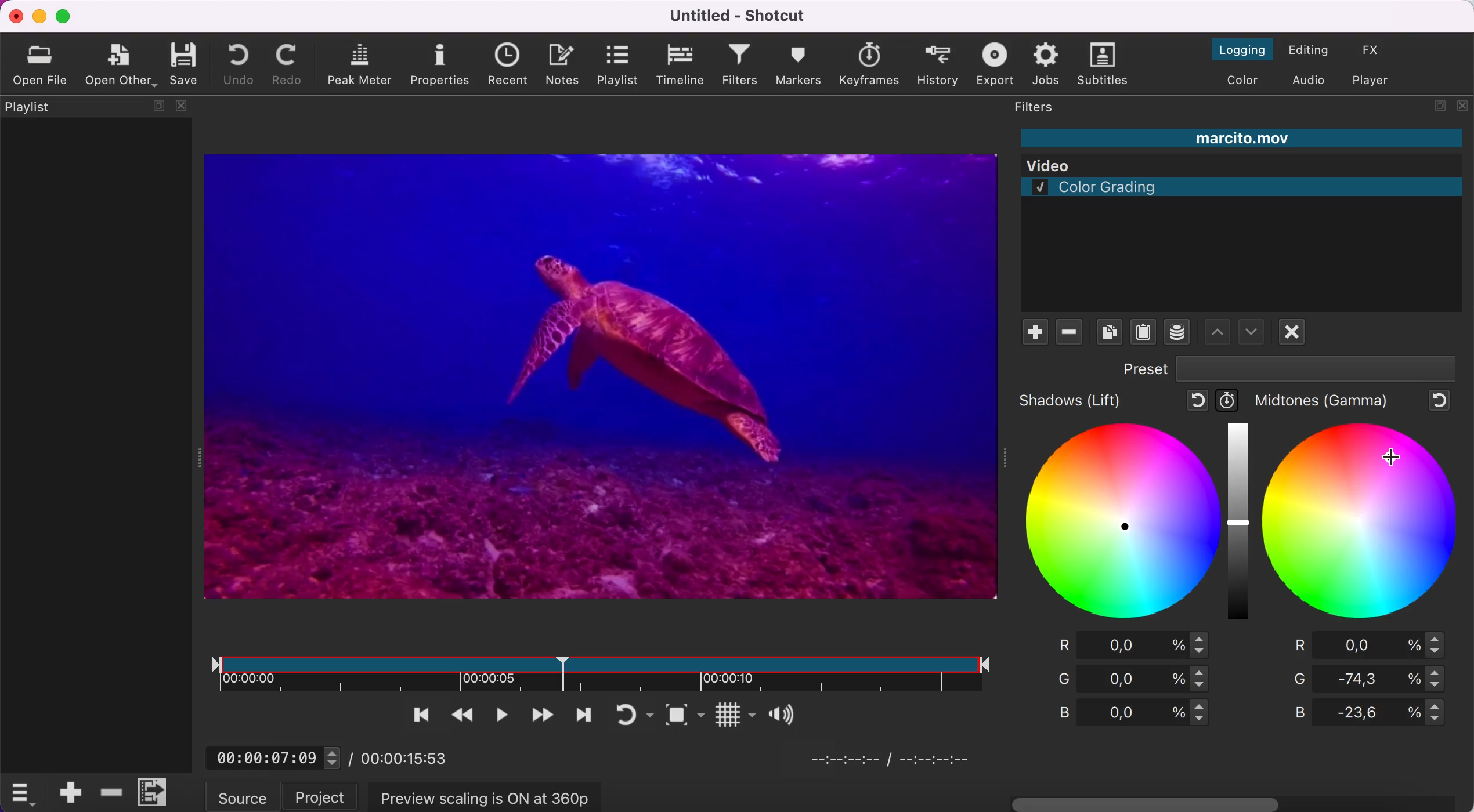 The image size is (1474, 812). I want to click on clip with filter applied, so click(601, 383).